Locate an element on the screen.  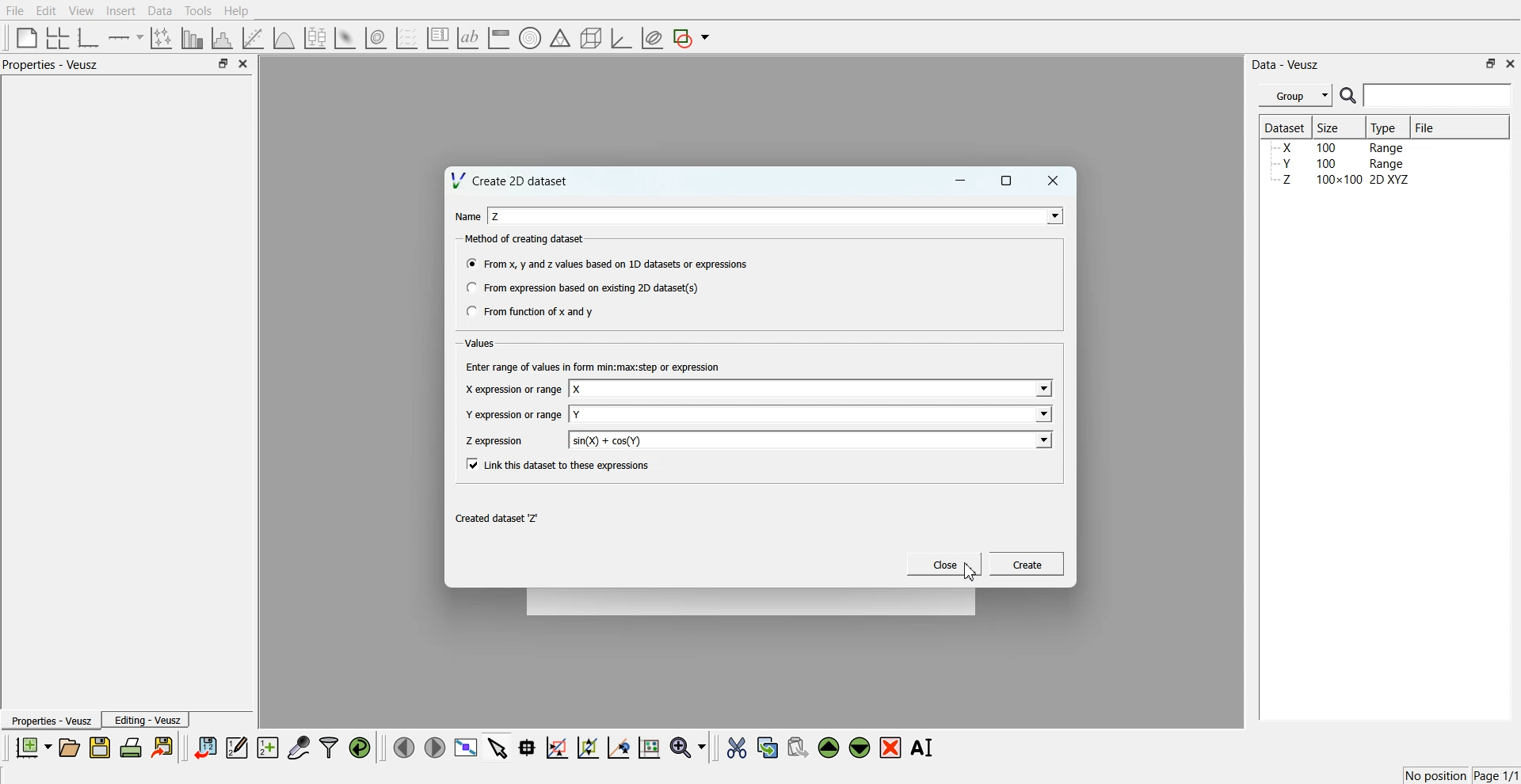
Zoom function menu is located at coordinates (690, 747).